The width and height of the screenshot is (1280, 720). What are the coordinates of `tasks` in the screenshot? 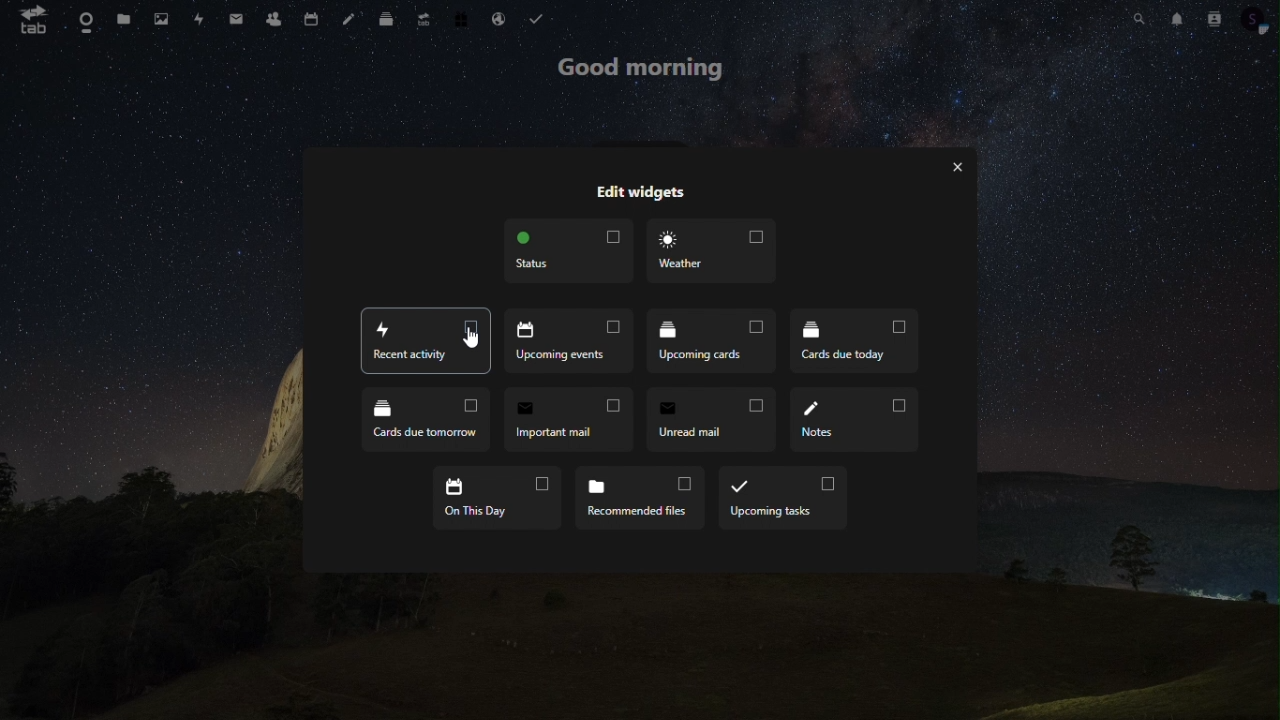 It's located at (540, 17).